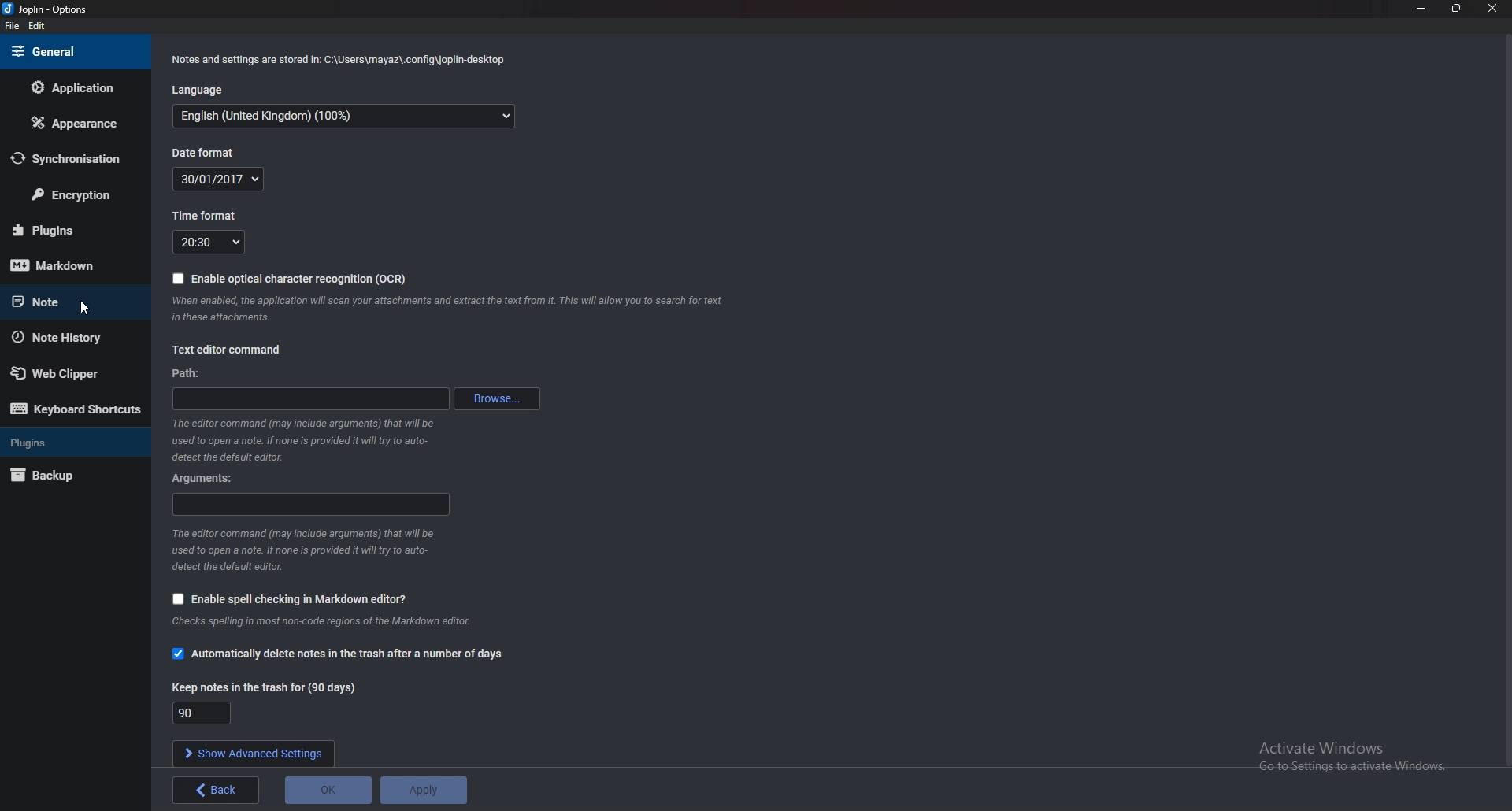 This screenshot has width=1512, height=811. I want to click on general, so click(69, 53).